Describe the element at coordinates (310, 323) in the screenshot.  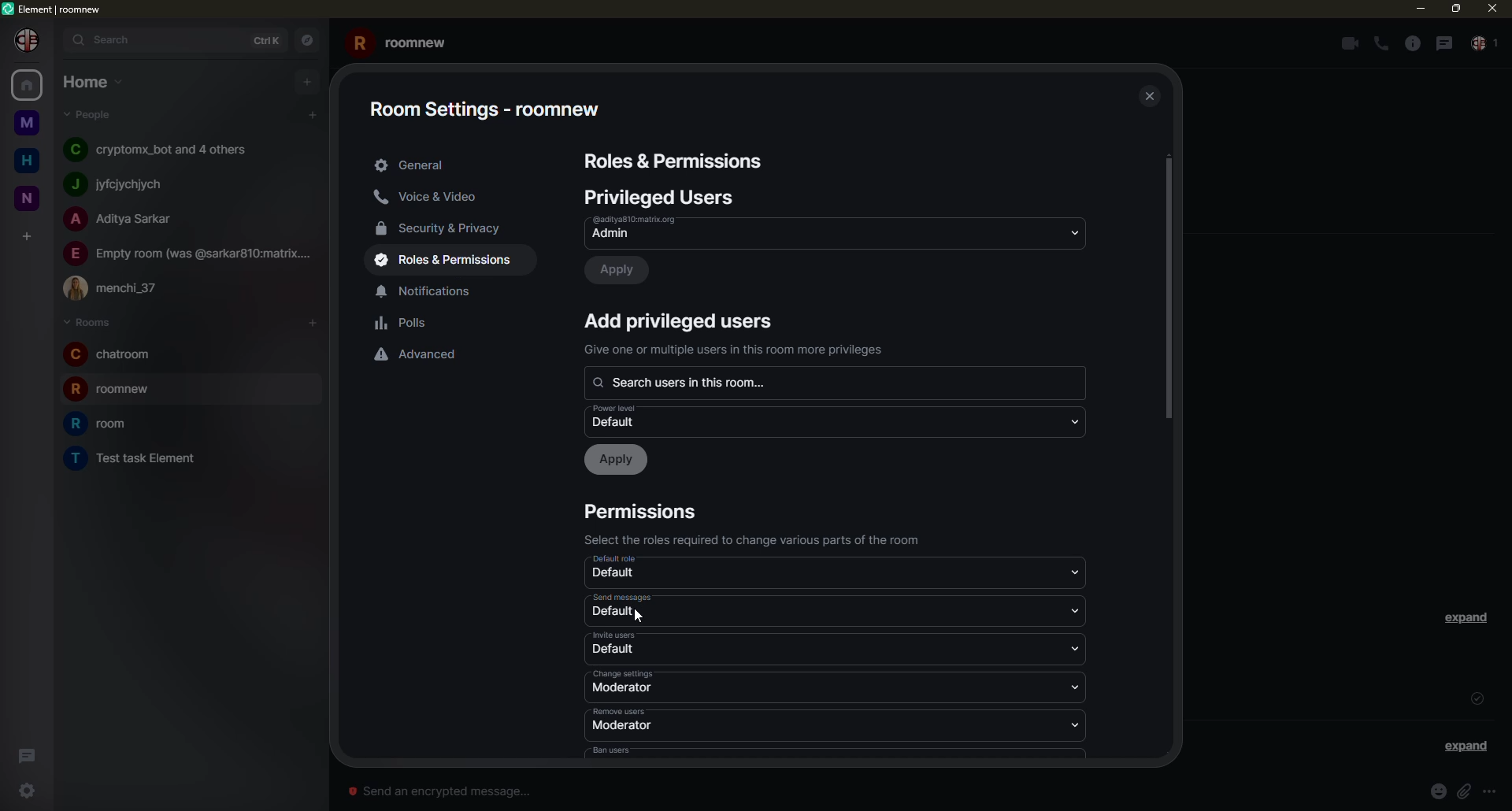
I see `add` at that location.